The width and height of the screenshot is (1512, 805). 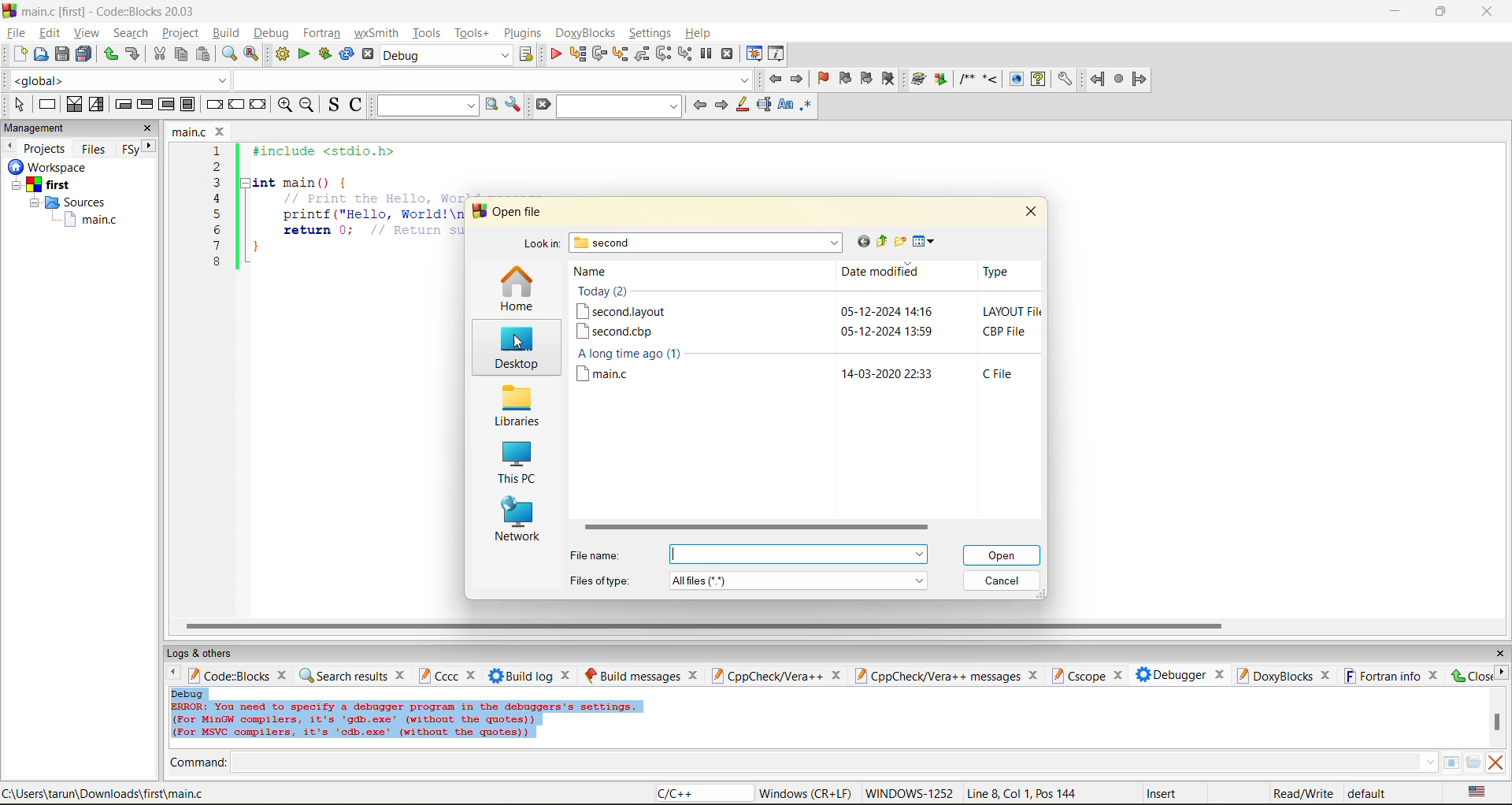 What do you see at coordinates (117, 80) in the screenshot?
I see `global` at bounding box center [117, 80].